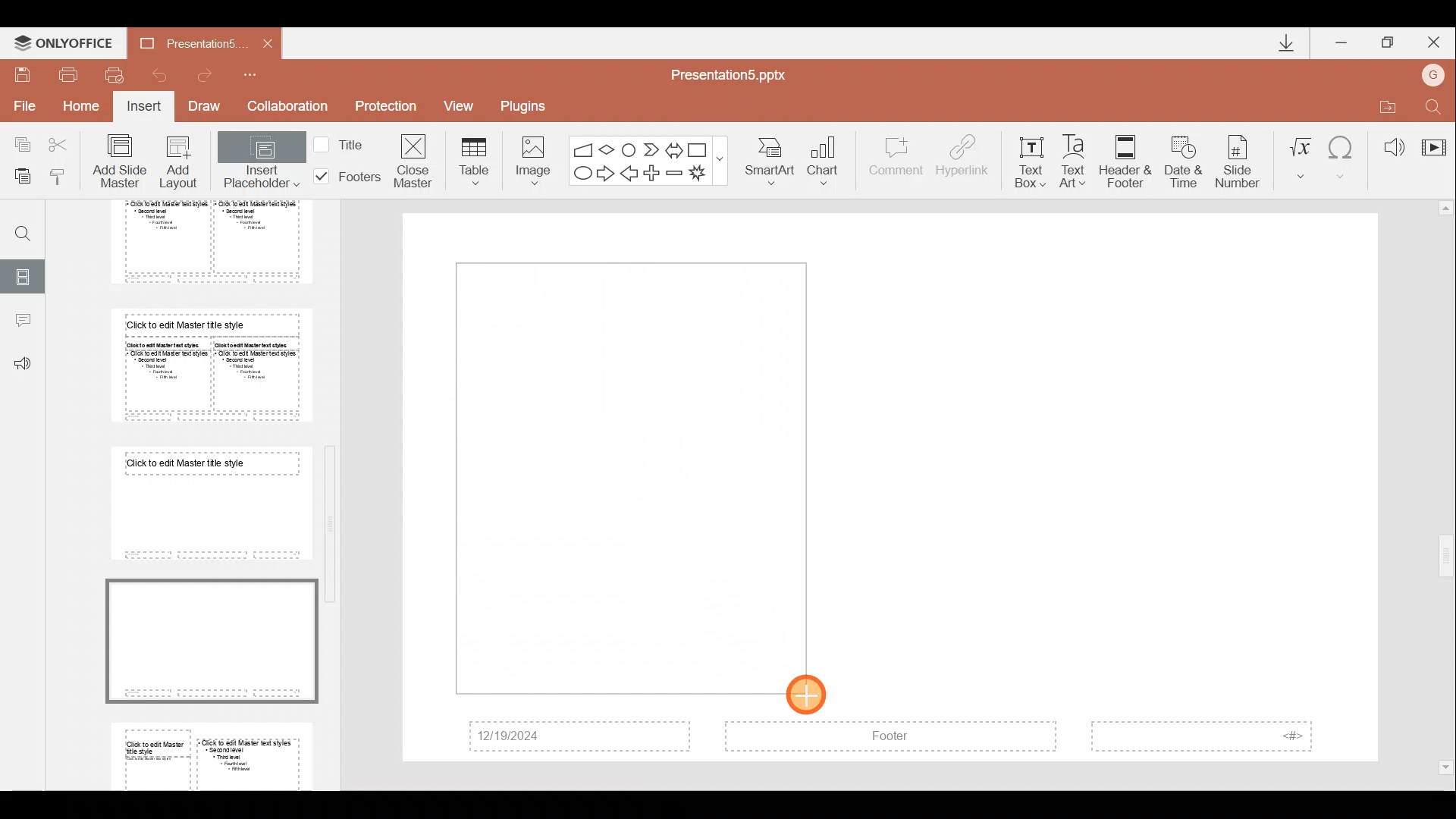  What do you see at coordinates (1436, 73) in the screenshot?
I see `Account name` at bounding box center [1436, 73].